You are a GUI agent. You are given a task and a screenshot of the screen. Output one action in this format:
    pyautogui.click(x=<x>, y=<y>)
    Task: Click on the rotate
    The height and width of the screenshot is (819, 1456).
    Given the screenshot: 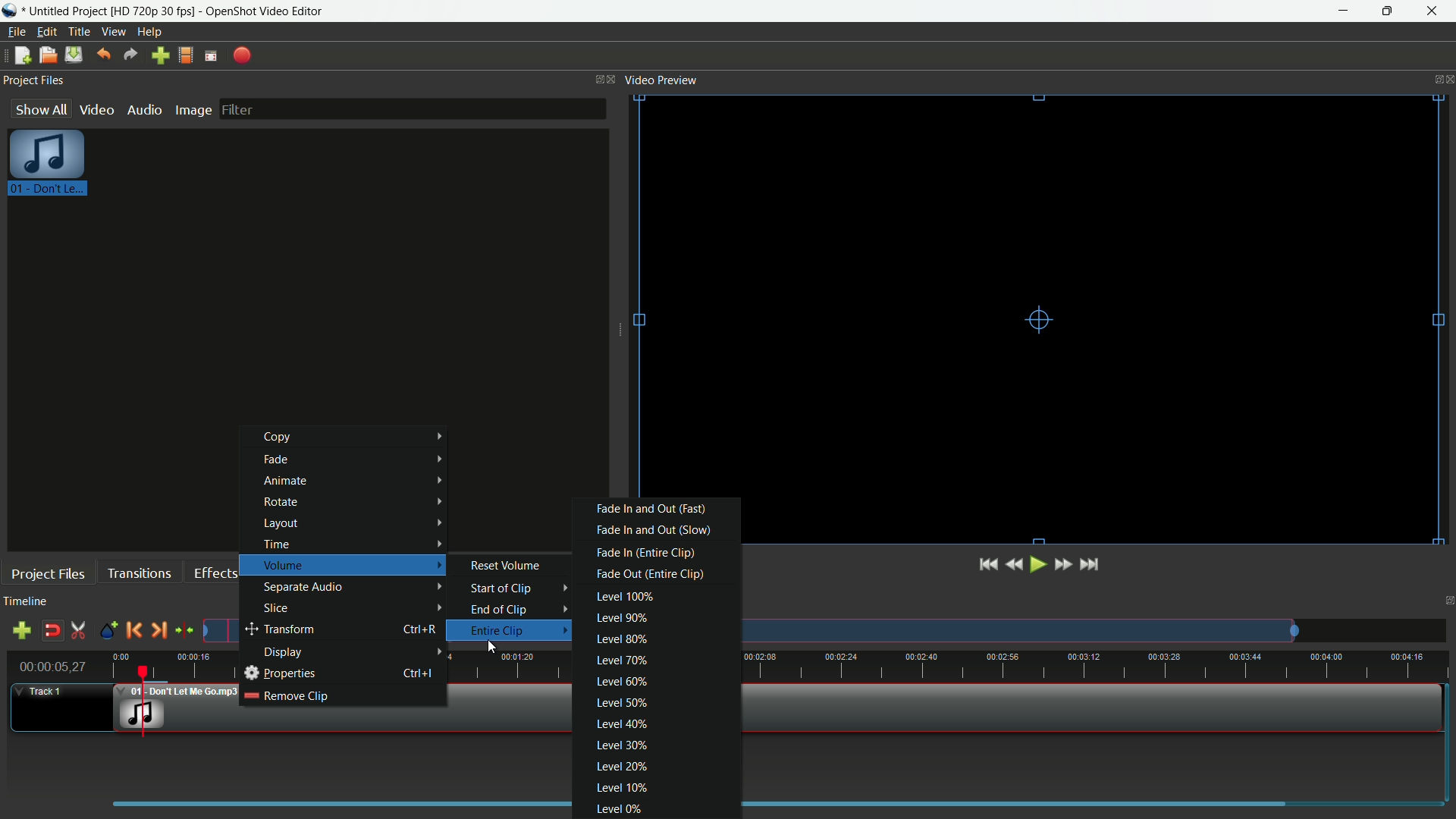 What is the action you would take?
    pyautogui.click(x=354, y=501)
    